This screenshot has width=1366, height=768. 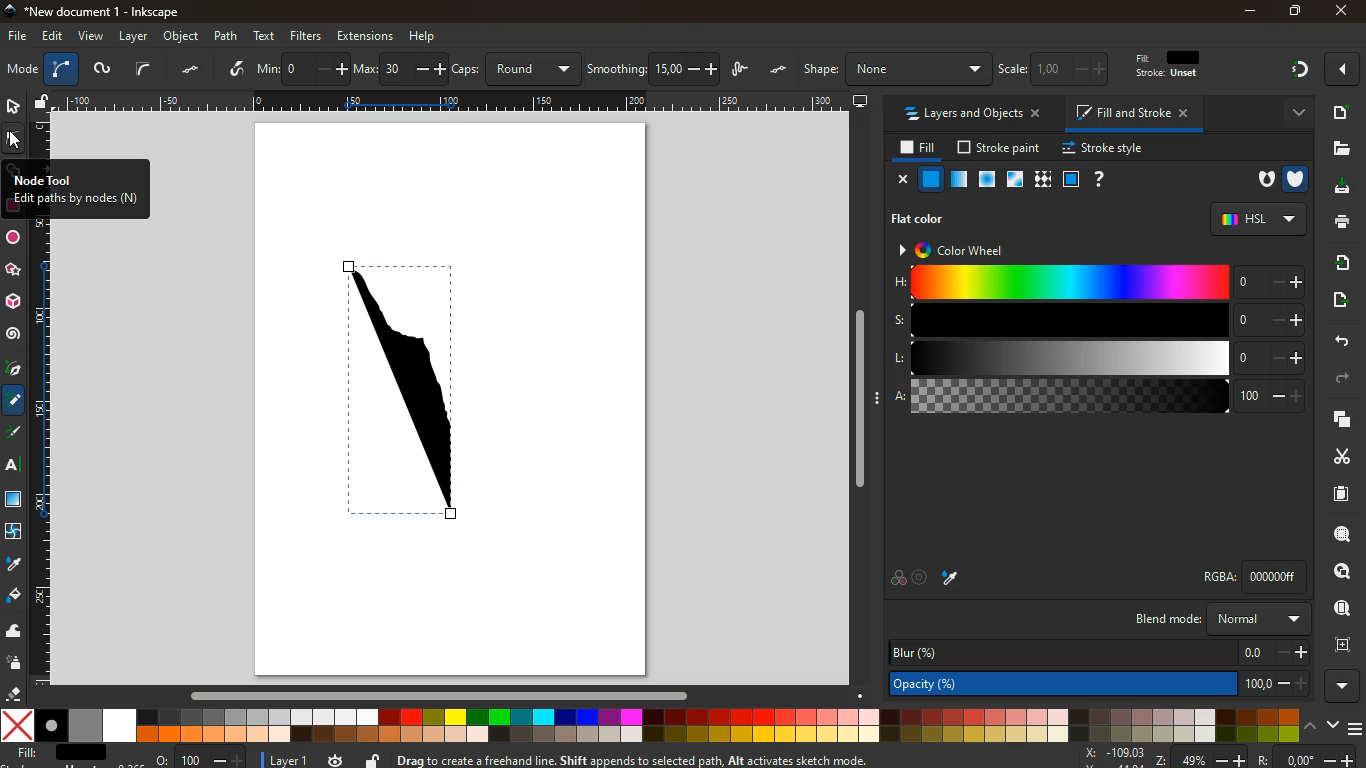 What do you see at coordinates (1338, 148) in the screenshot?
I see `files` at bounding box center [1338, 148].